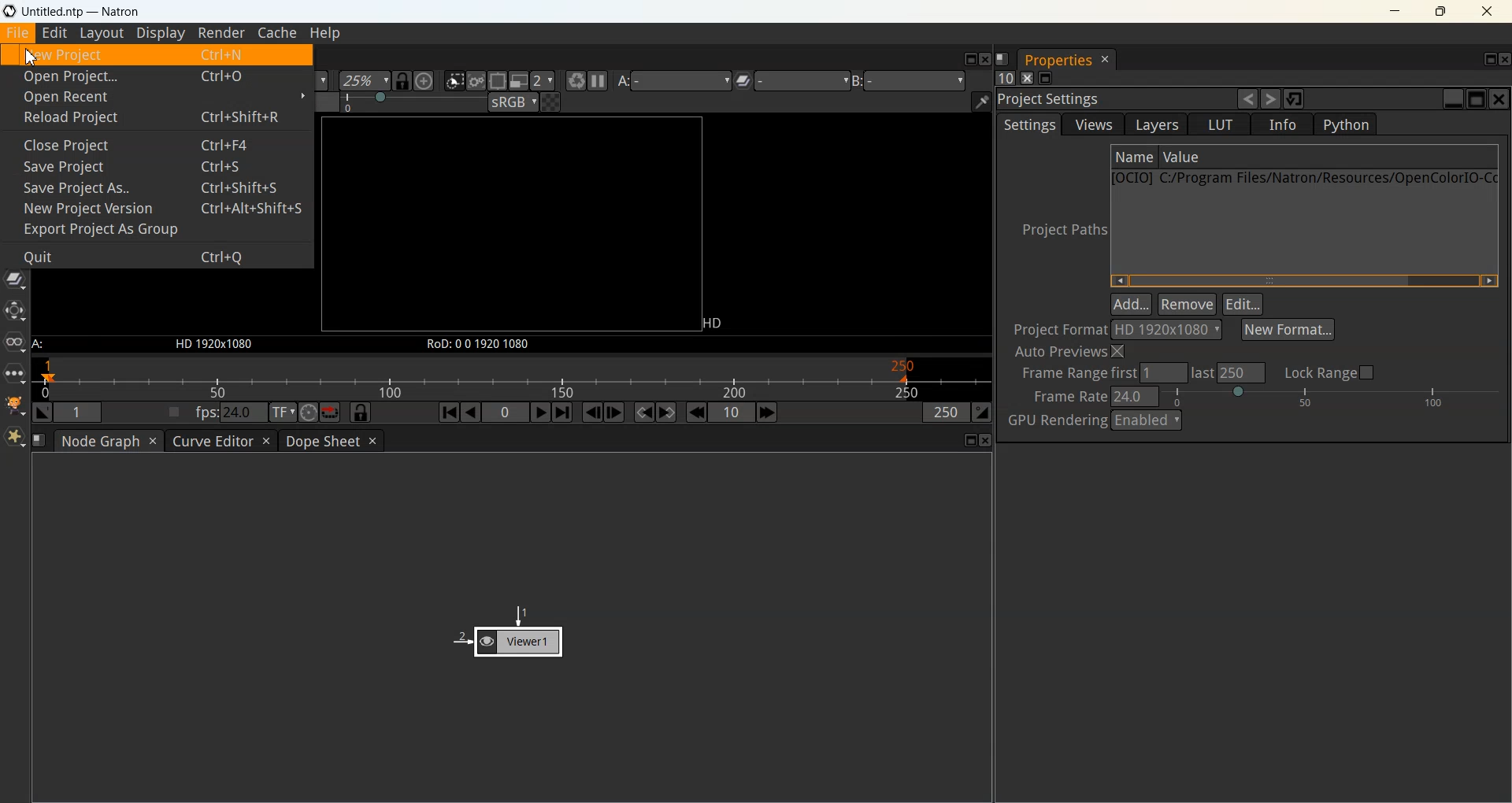 This screenshot has height=803, width=1512. I want to click on Set the playback at start, so click(43, 412).